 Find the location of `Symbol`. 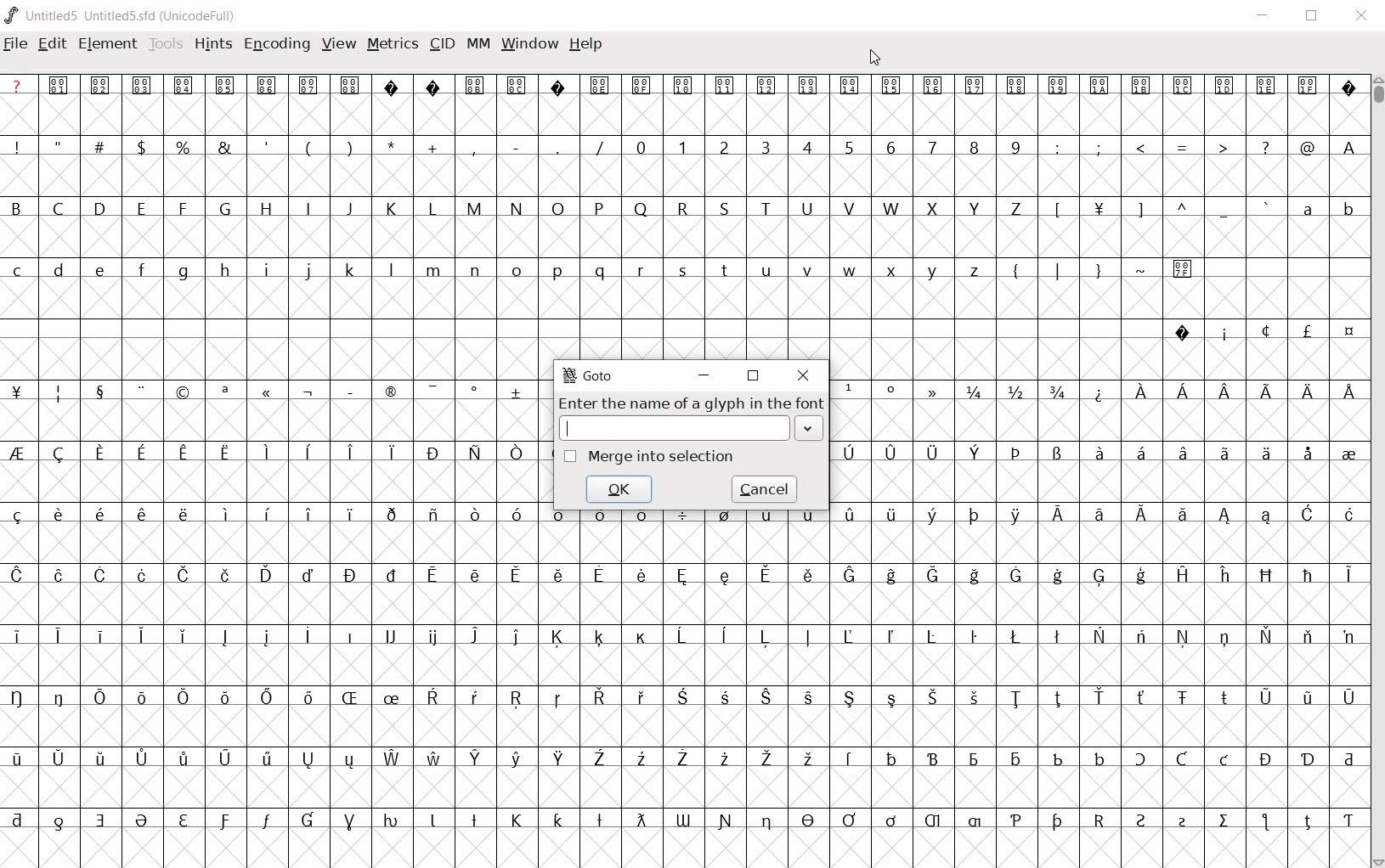

Symbol is located at coordinates (473, 819).